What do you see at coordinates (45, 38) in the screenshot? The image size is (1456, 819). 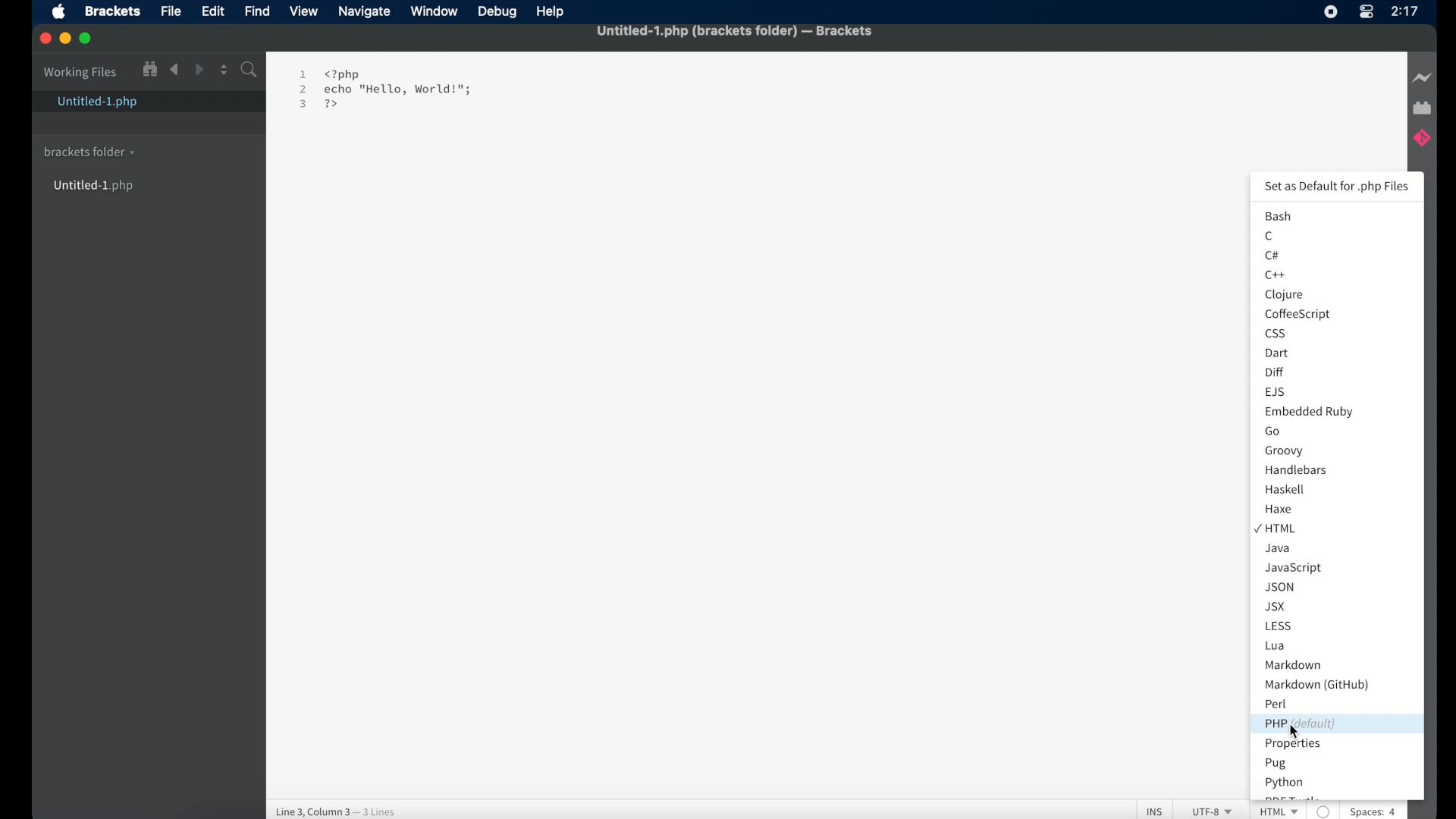 I see `close` at bounding box center [45, 38].